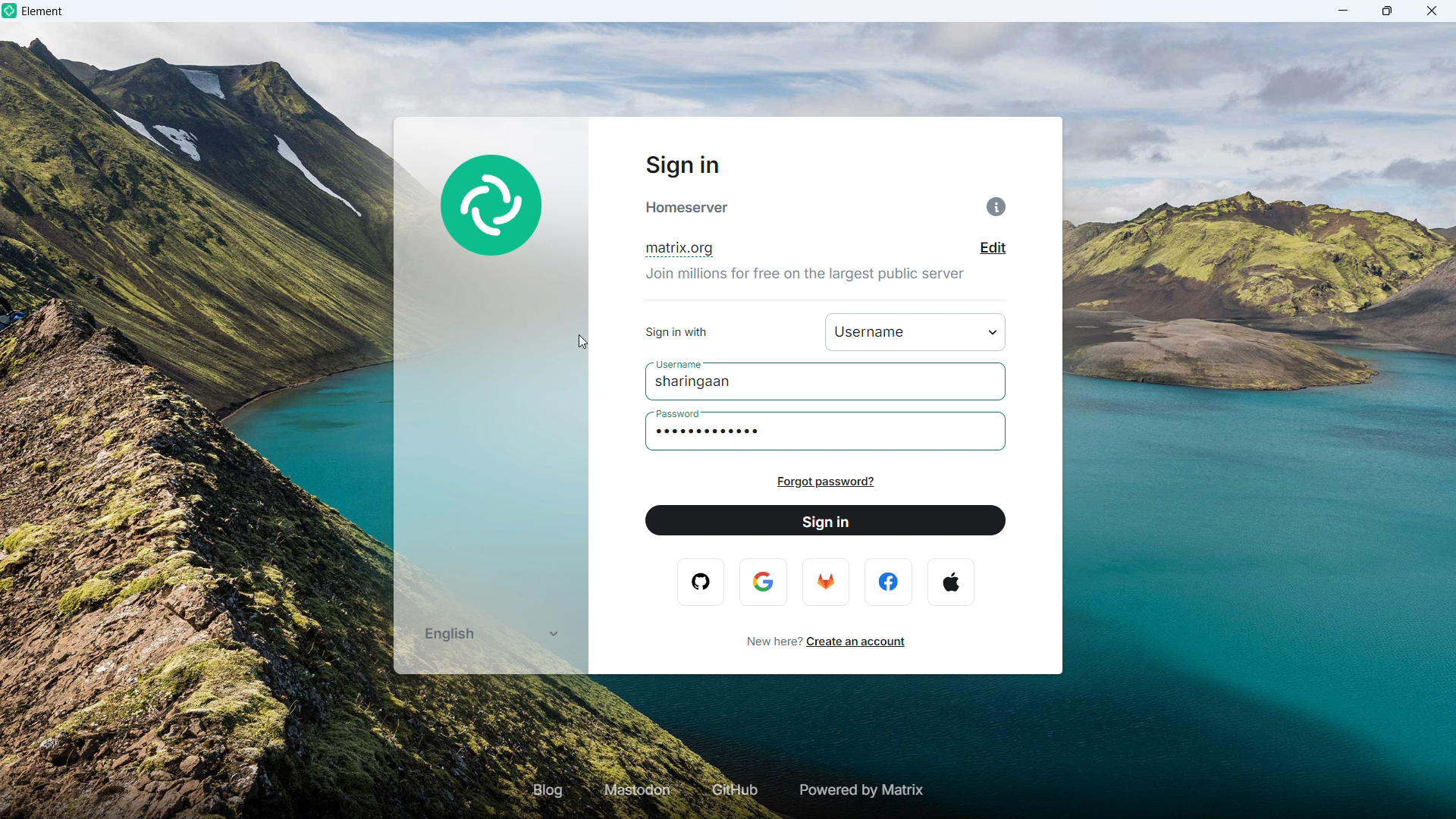 Image resolution: width=1456 pixels, height=819 pixels. What do you see at coordinates (680, 166) in the screenshot?
I see `Sign in ` at bounding box center [680, 166].